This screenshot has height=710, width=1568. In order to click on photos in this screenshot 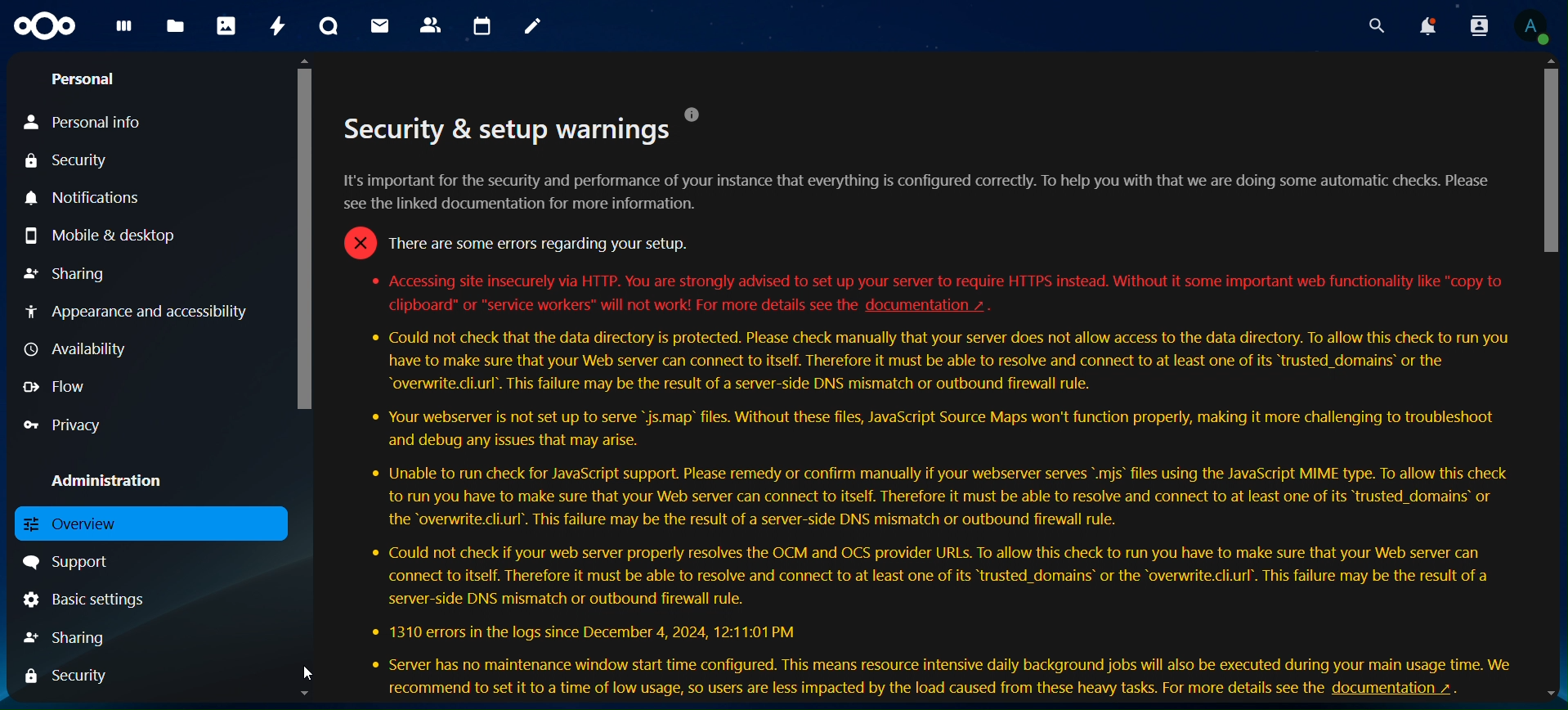, I will do `click(225, 28)`.